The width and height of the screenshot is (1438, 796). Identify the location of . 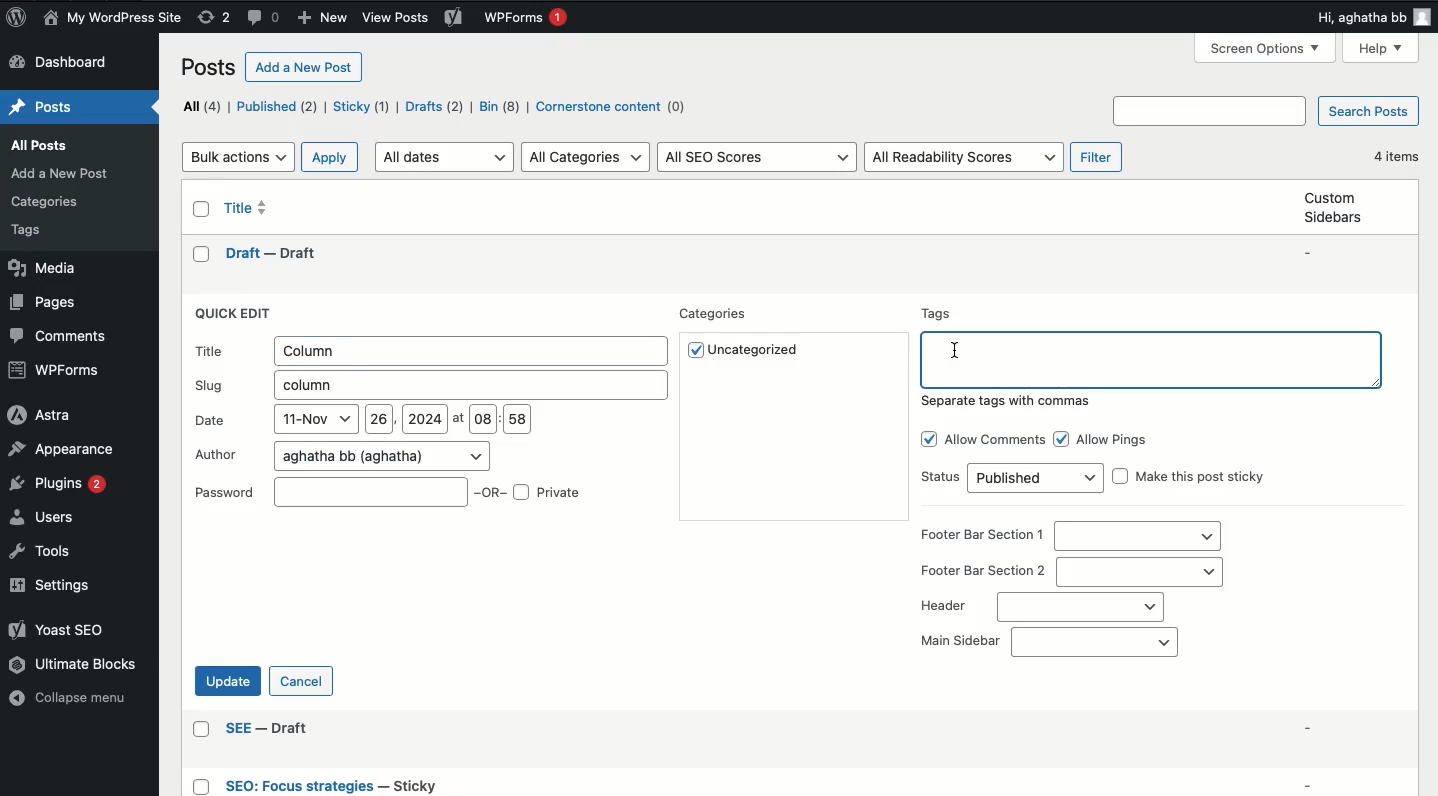
(29, 233).